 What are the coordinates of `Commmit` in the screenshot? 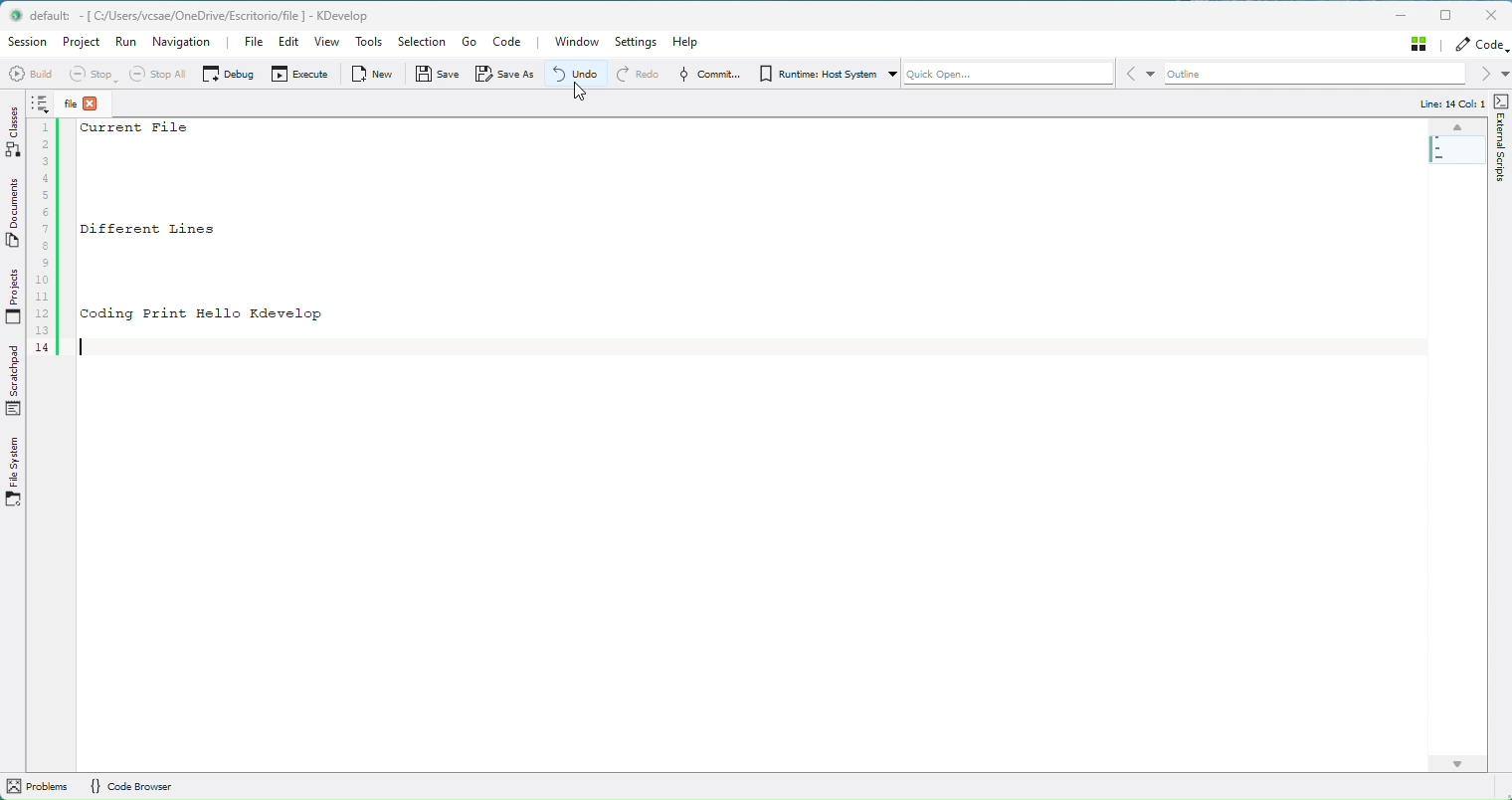 It's located at (709, 76).